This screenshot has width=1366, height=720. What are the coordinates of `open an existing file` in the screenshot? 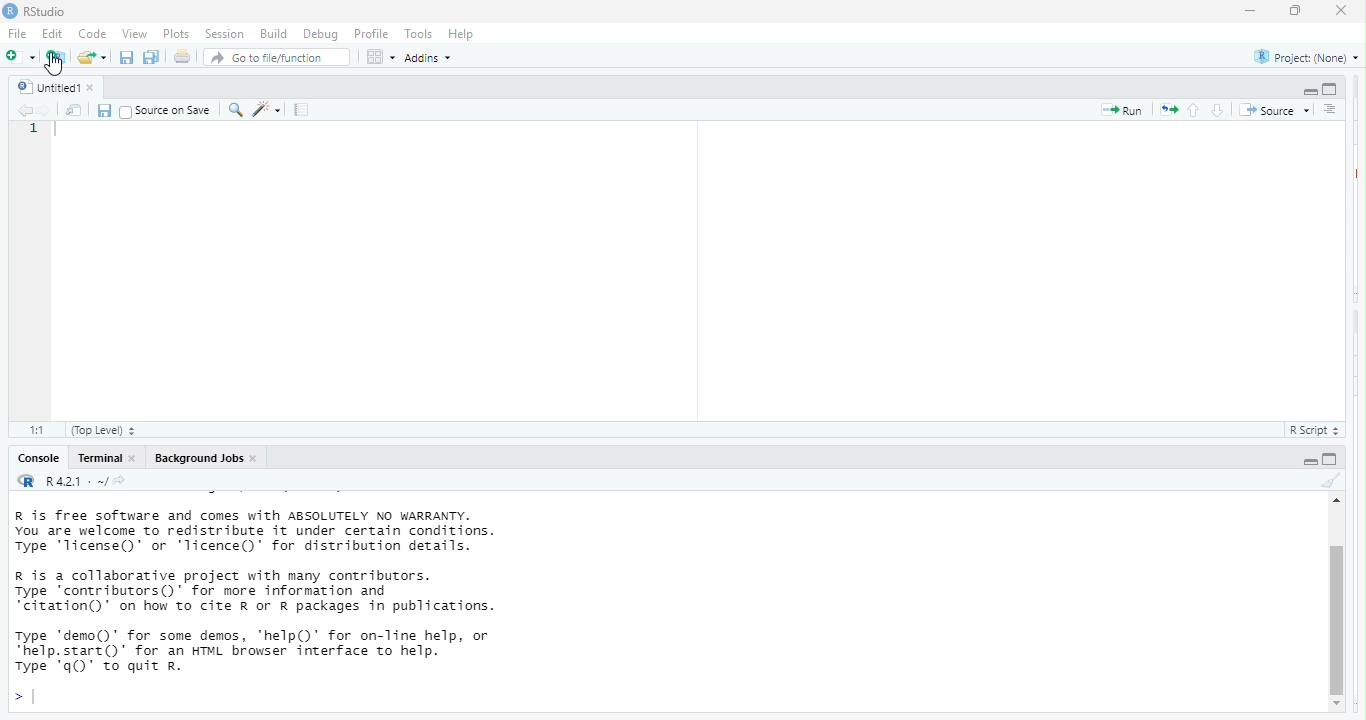 It's located at (92, 56).